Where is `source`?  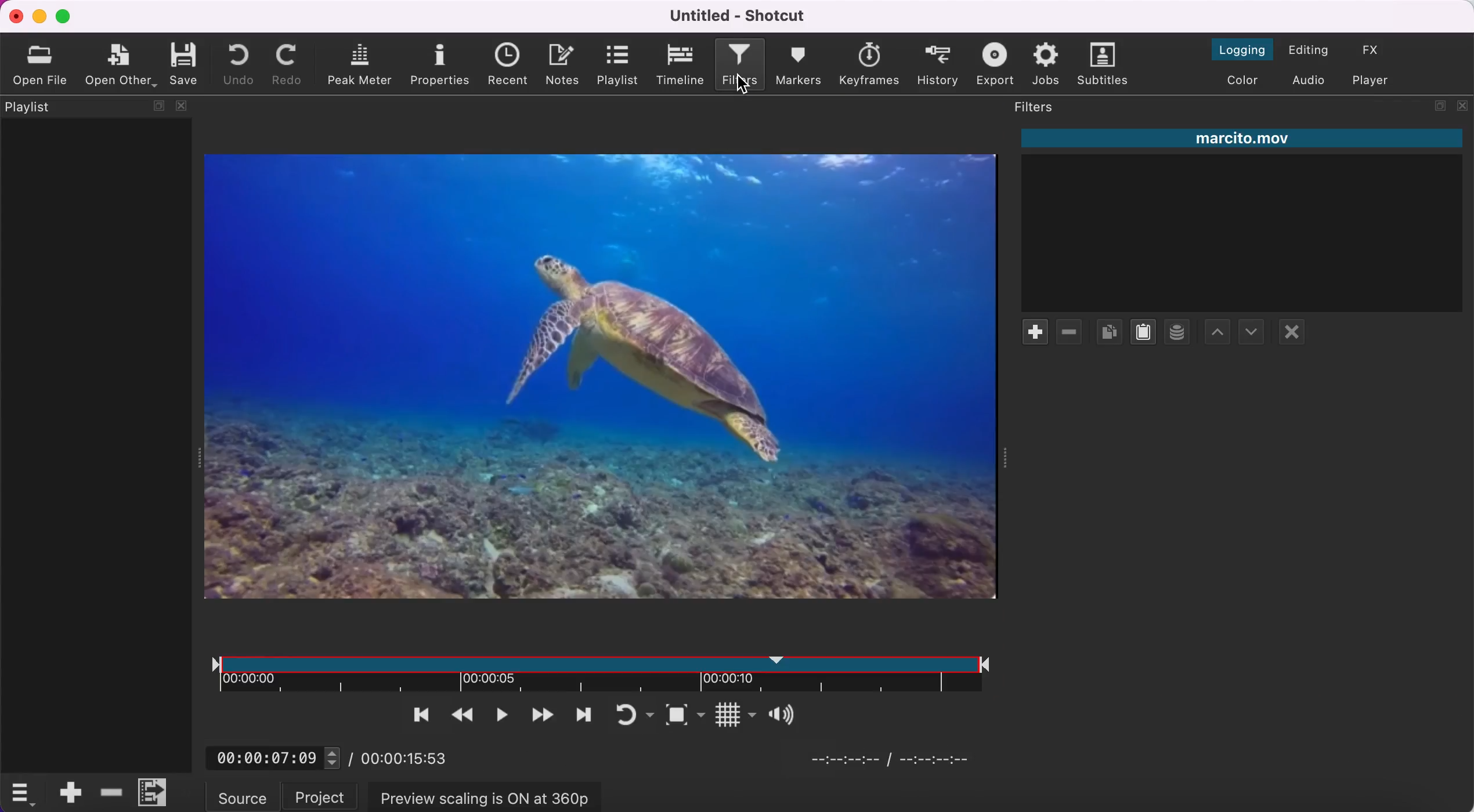 source is located at coordinates (243, 796).